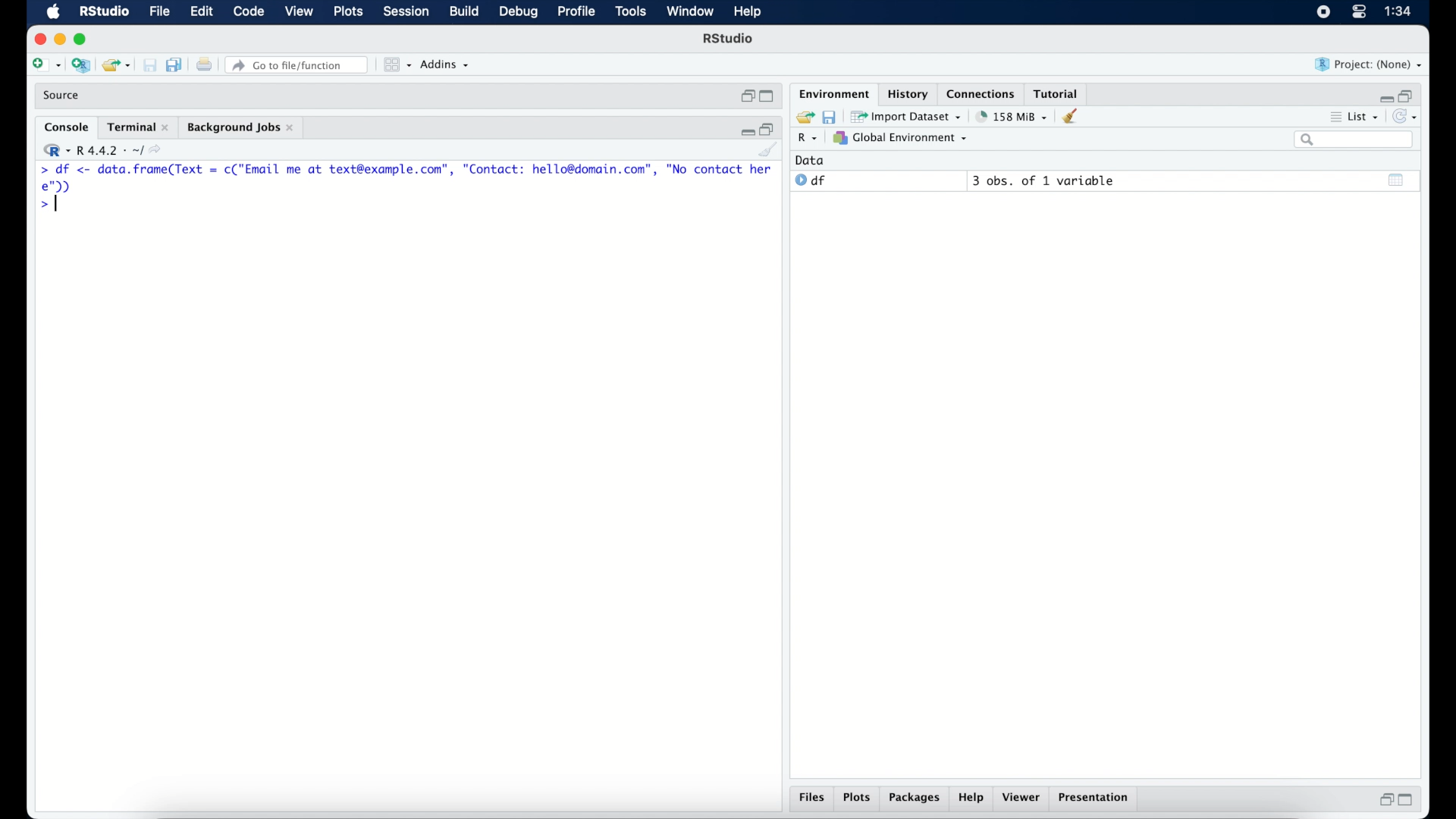  What do you see at coordinates (1407, 801) in the screenshot?
I see `maximize` at bounding box center [1407, 801].